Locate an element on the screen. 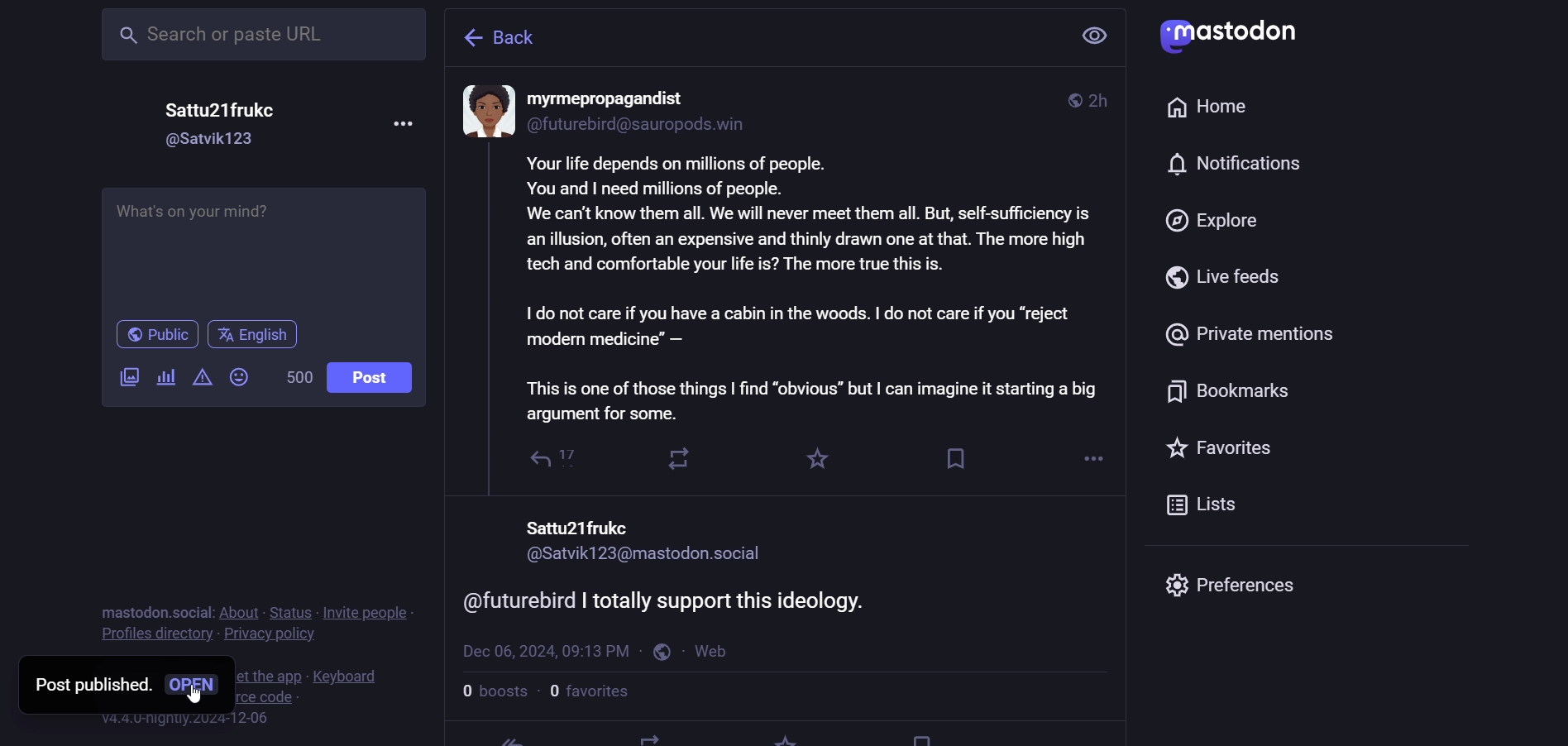  comment is located at coordinates (691, 600).